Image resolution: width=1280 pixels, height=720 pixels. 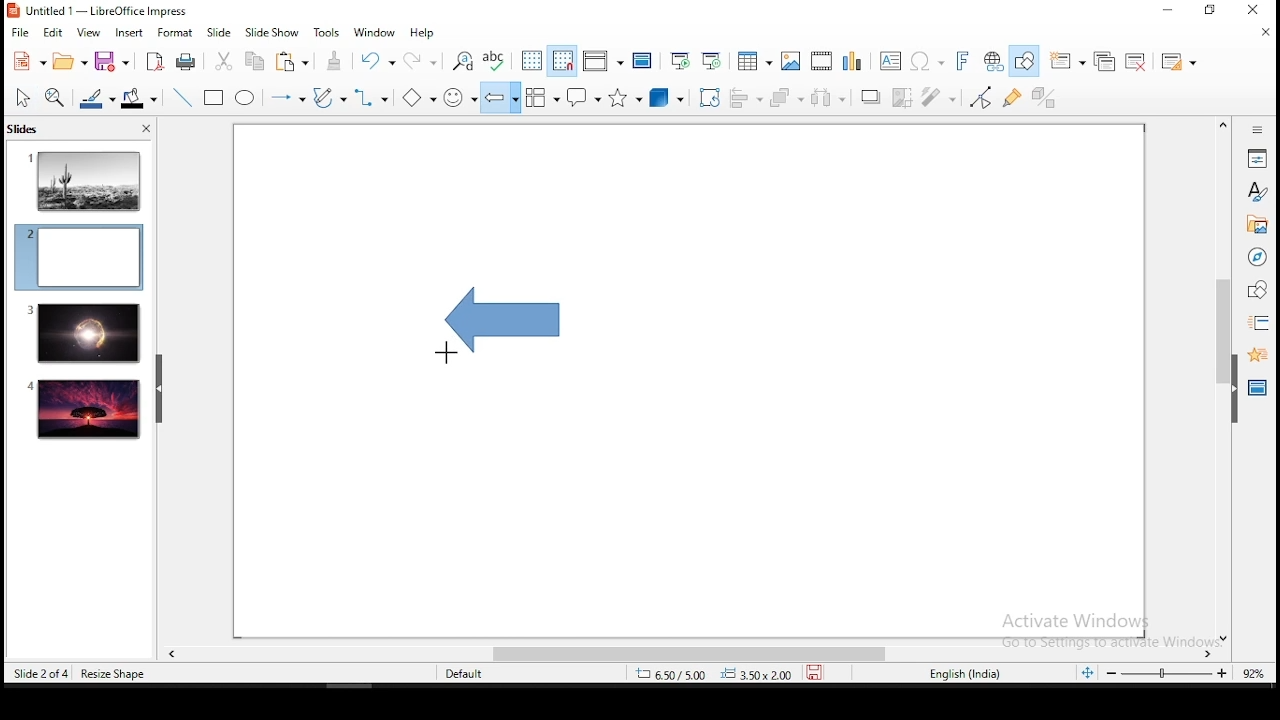 I want to click on master slide, so click(x=642, y=60).